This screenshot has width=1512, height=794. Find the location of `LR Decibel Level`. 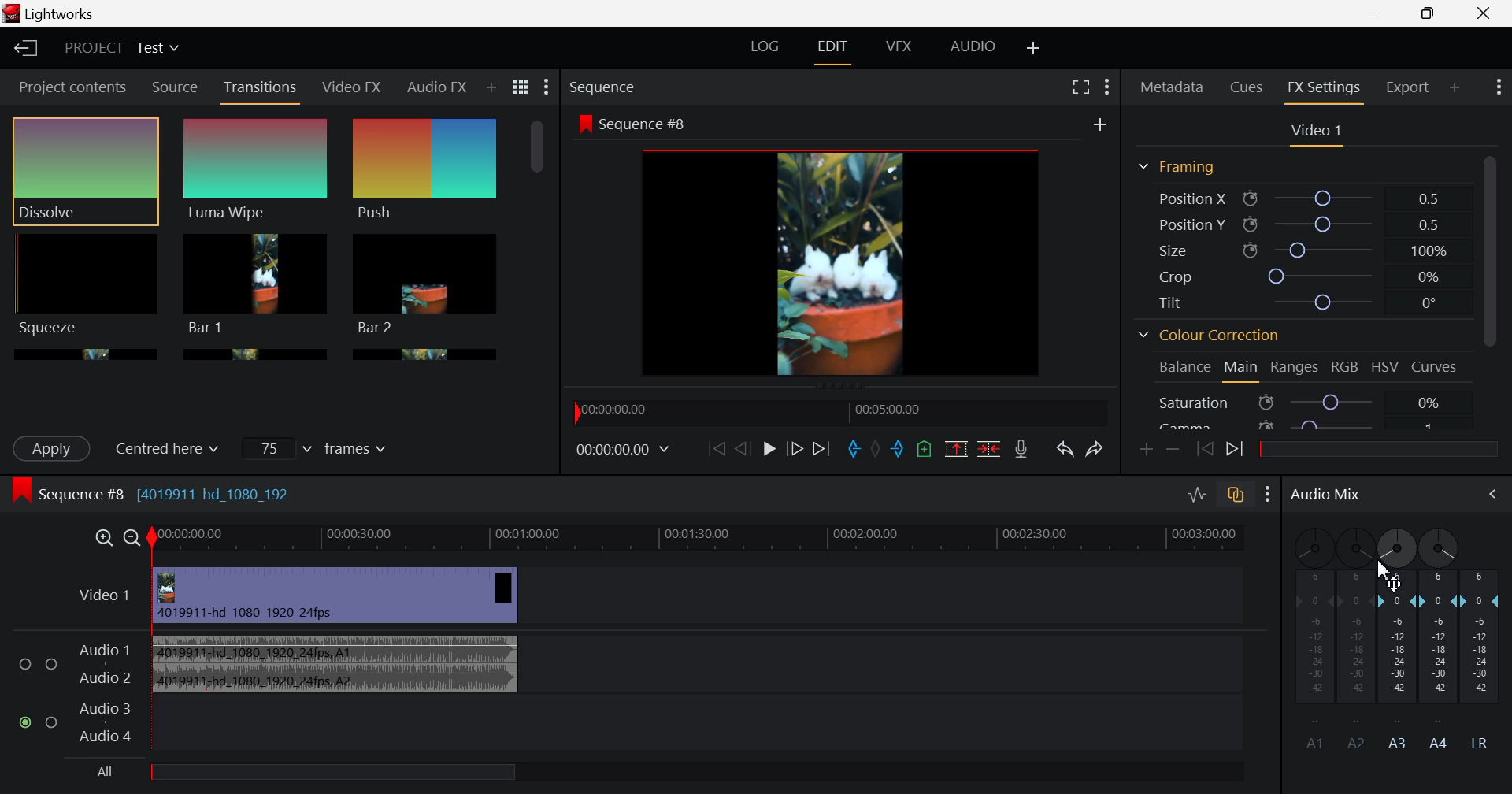

LR Decibel Level is located at coordinates (1485, 659).